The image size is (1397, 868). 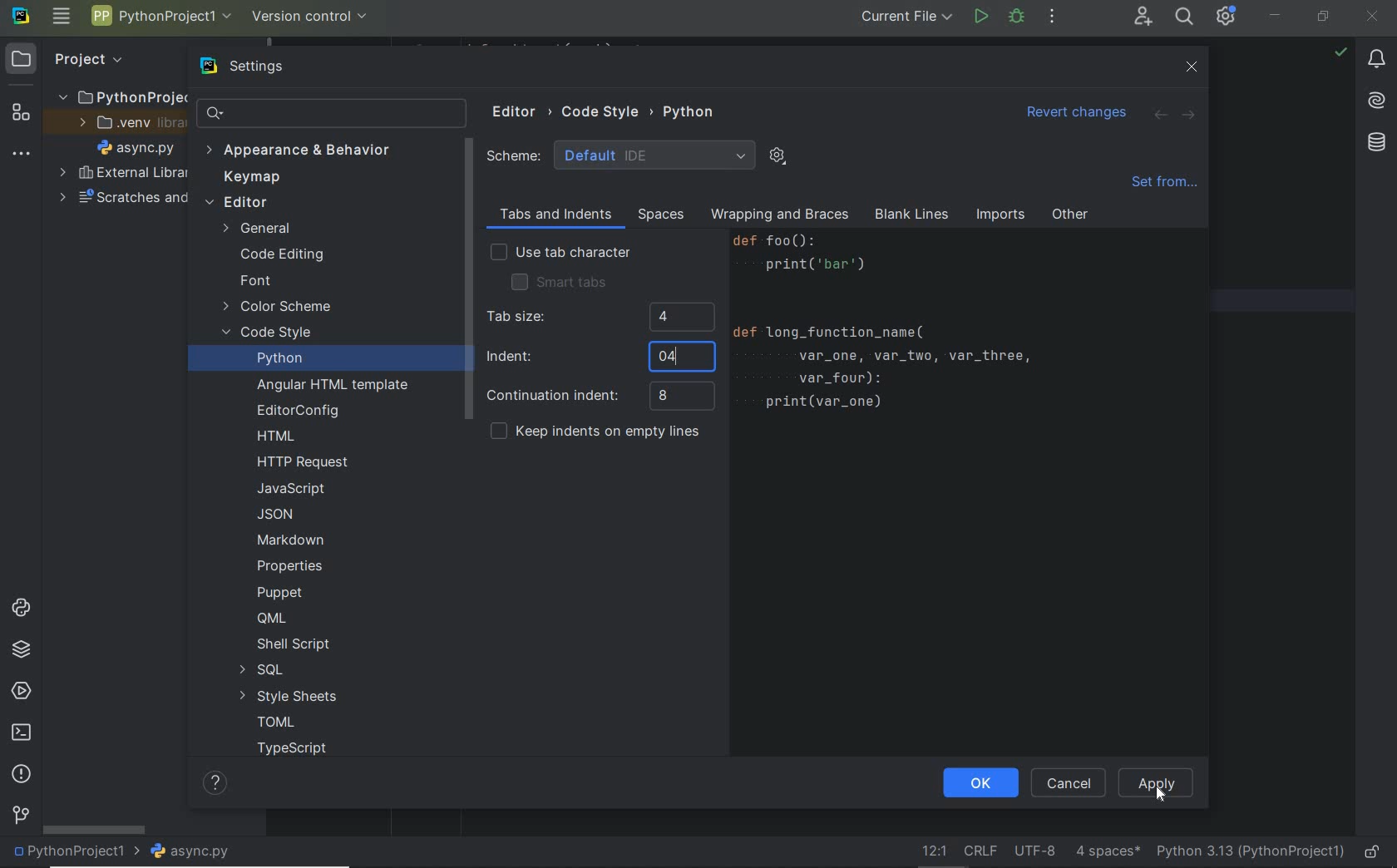 I want to click on python, so click(x=279, y=358).